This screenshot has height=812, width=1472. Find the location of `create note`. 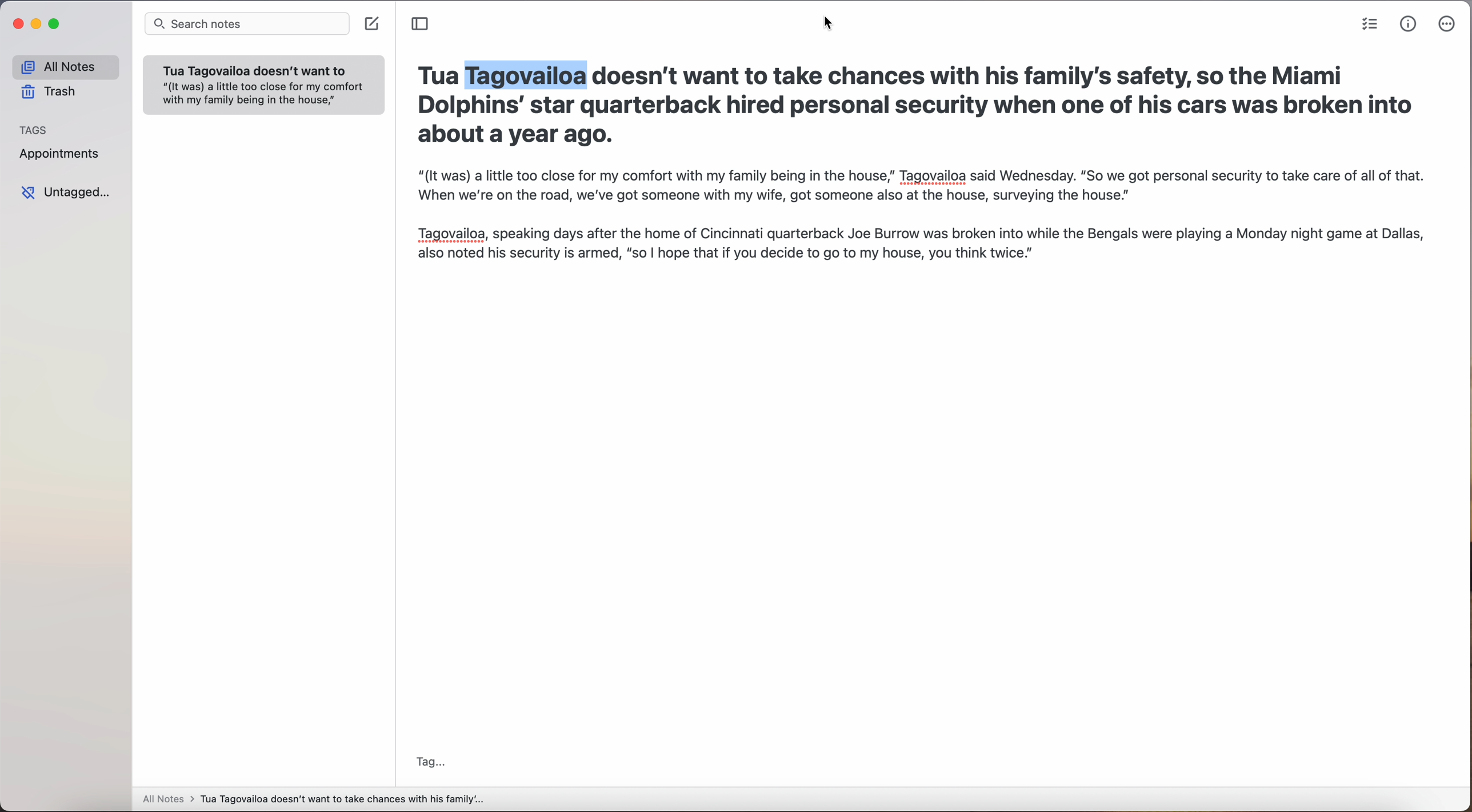

create note is located at coordinates (371, 25).